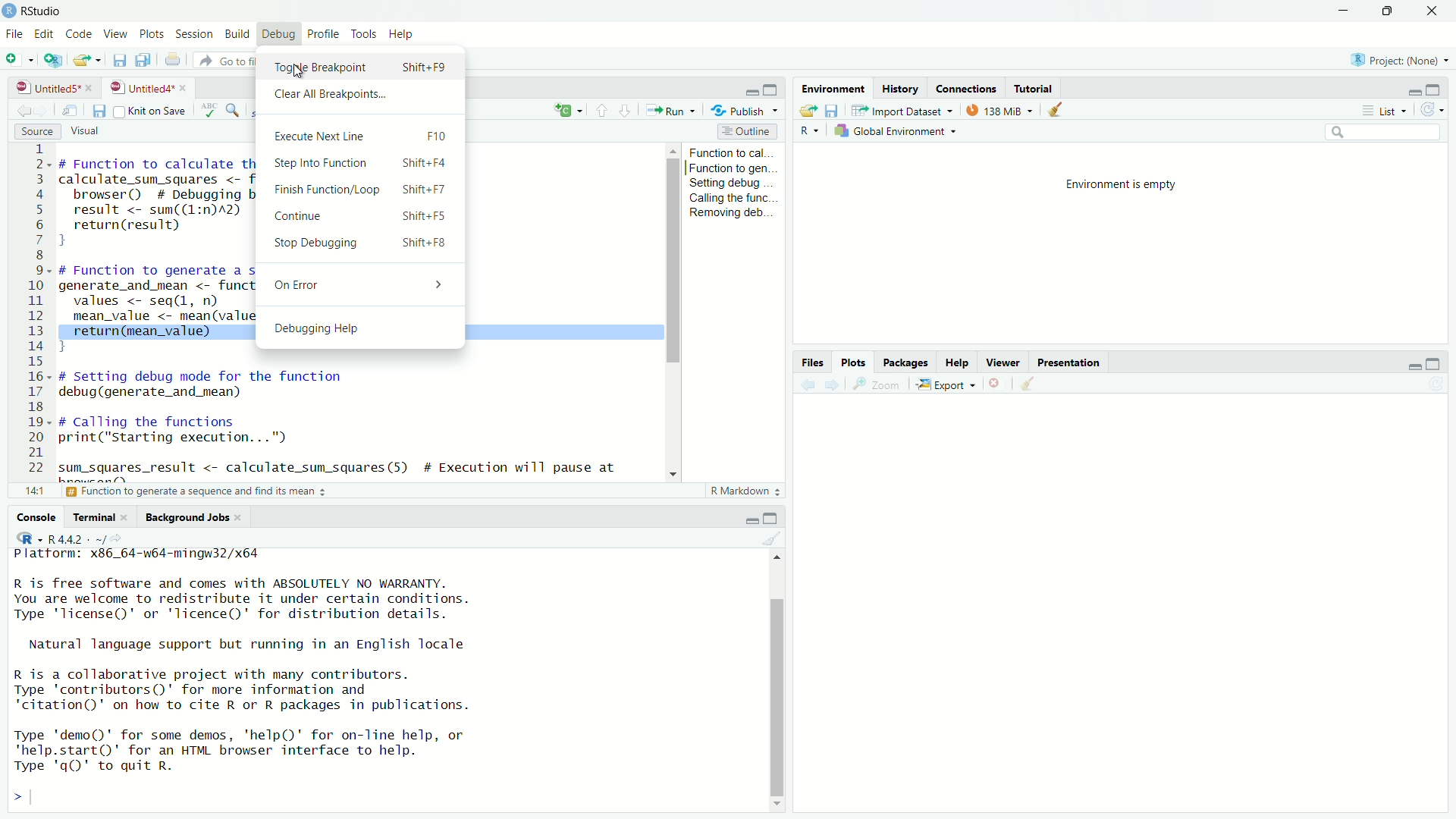 This screenshot has height=819, width=1456. Describe the element at coordinates (270, 751) in the screenshot. I see `Type 'demo()' for some demos, 'help()' for on-line help, or
'help.start()' for an HTML browser interface to help.
Type 'qgQ' to quit R.` at that location.